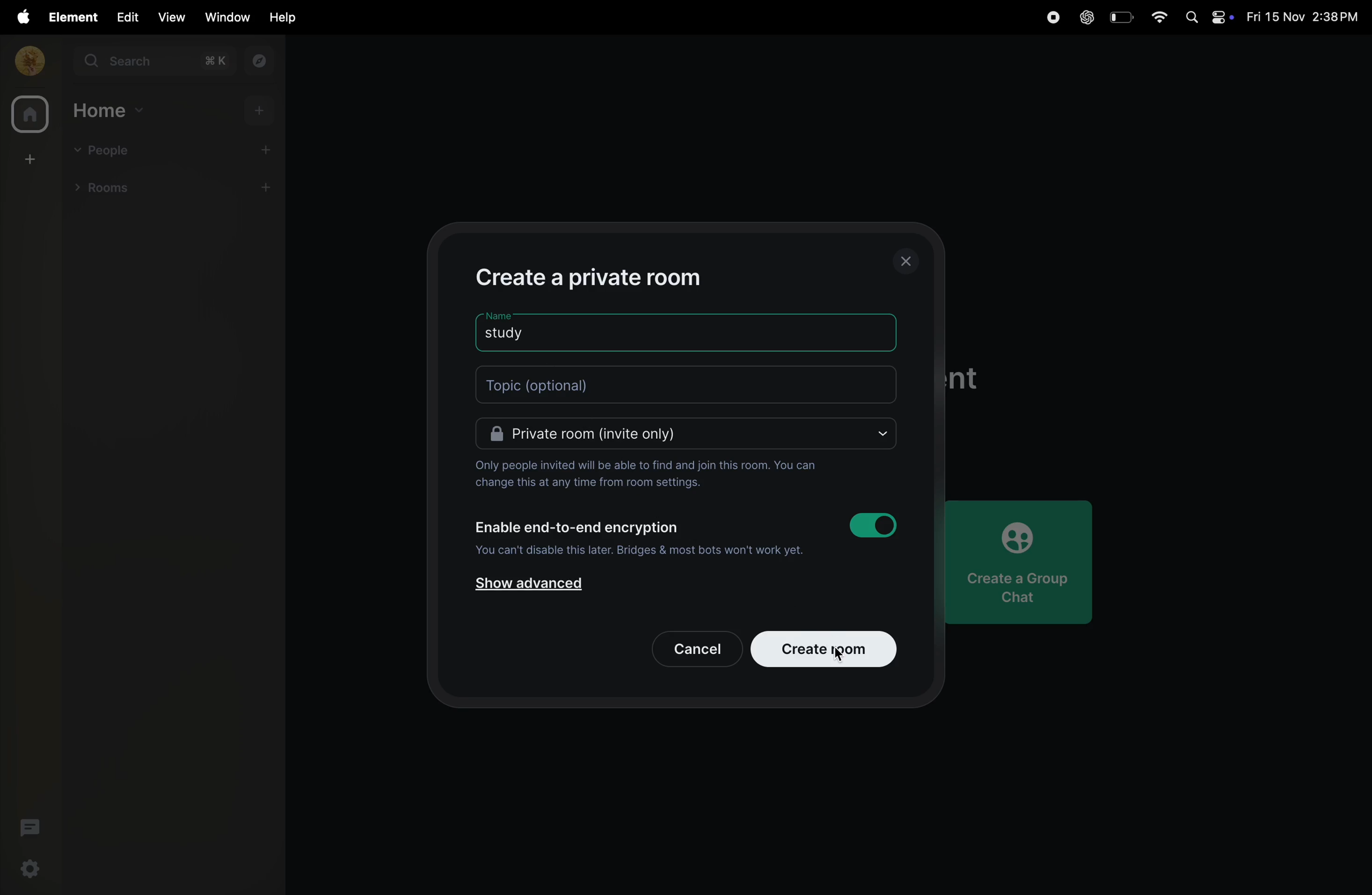 The height and width of the screenshot is (895, 1372). What do you see at coordinates (270, 187) in the screenshot?
I see `add room` at bounding box center [270, 187].